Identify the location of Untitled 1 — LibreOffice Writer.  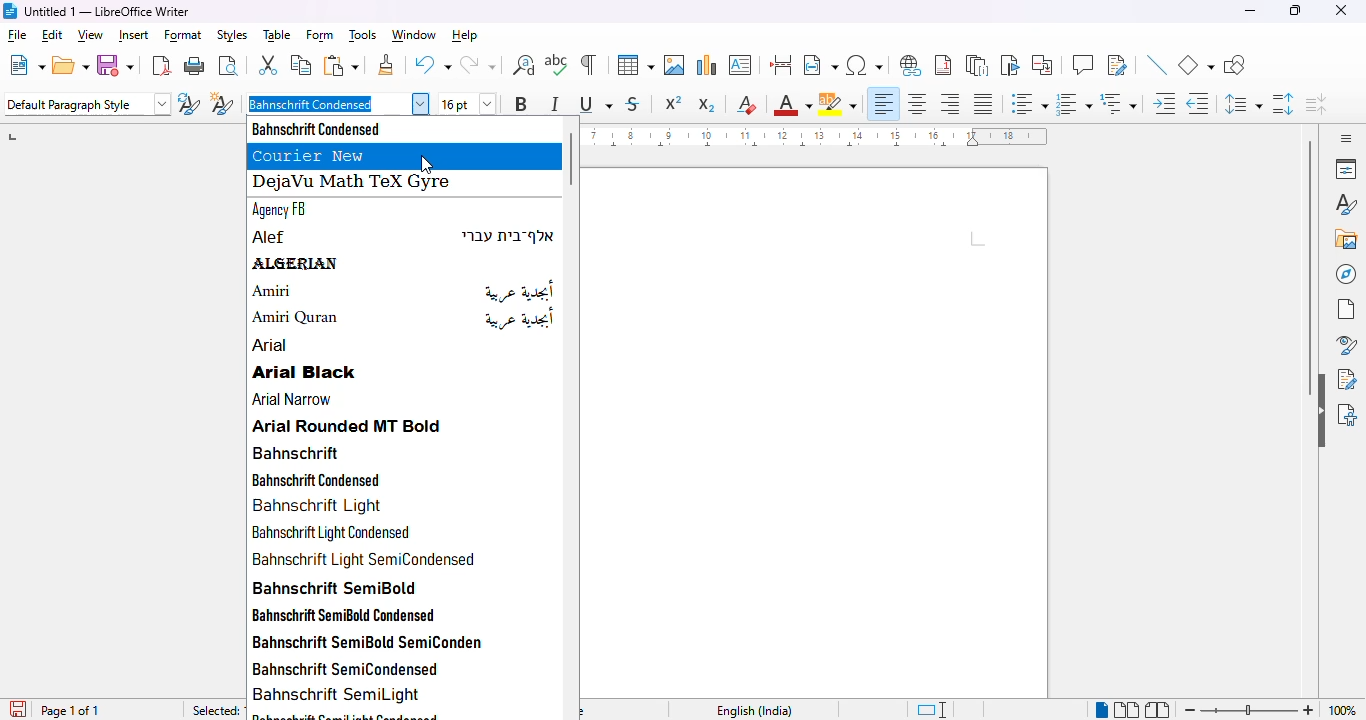
(109, 11).